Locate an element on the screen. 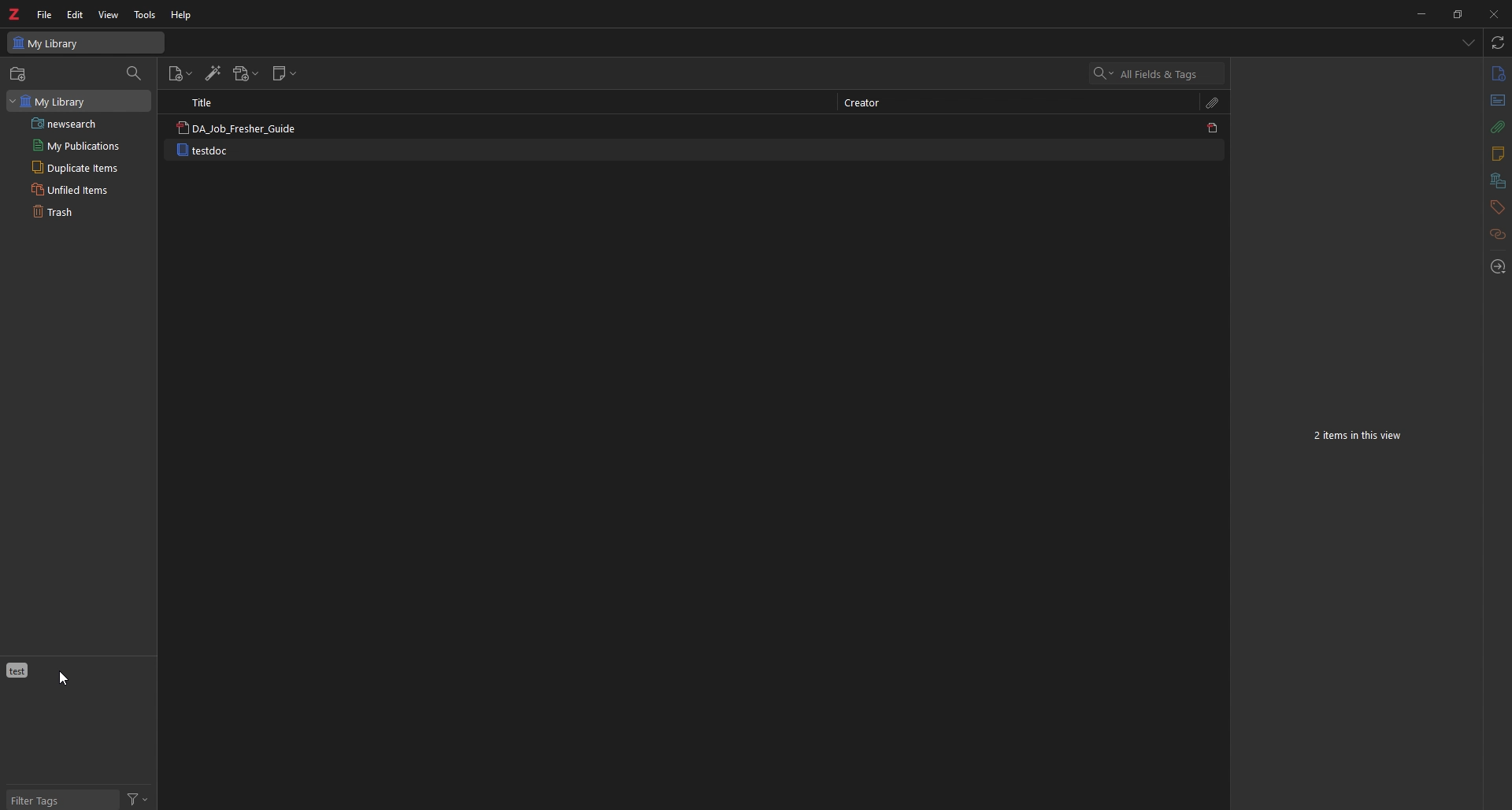 The width and height of the screenshot is (1512, 810). tags is located at coordinates (1497, 206).